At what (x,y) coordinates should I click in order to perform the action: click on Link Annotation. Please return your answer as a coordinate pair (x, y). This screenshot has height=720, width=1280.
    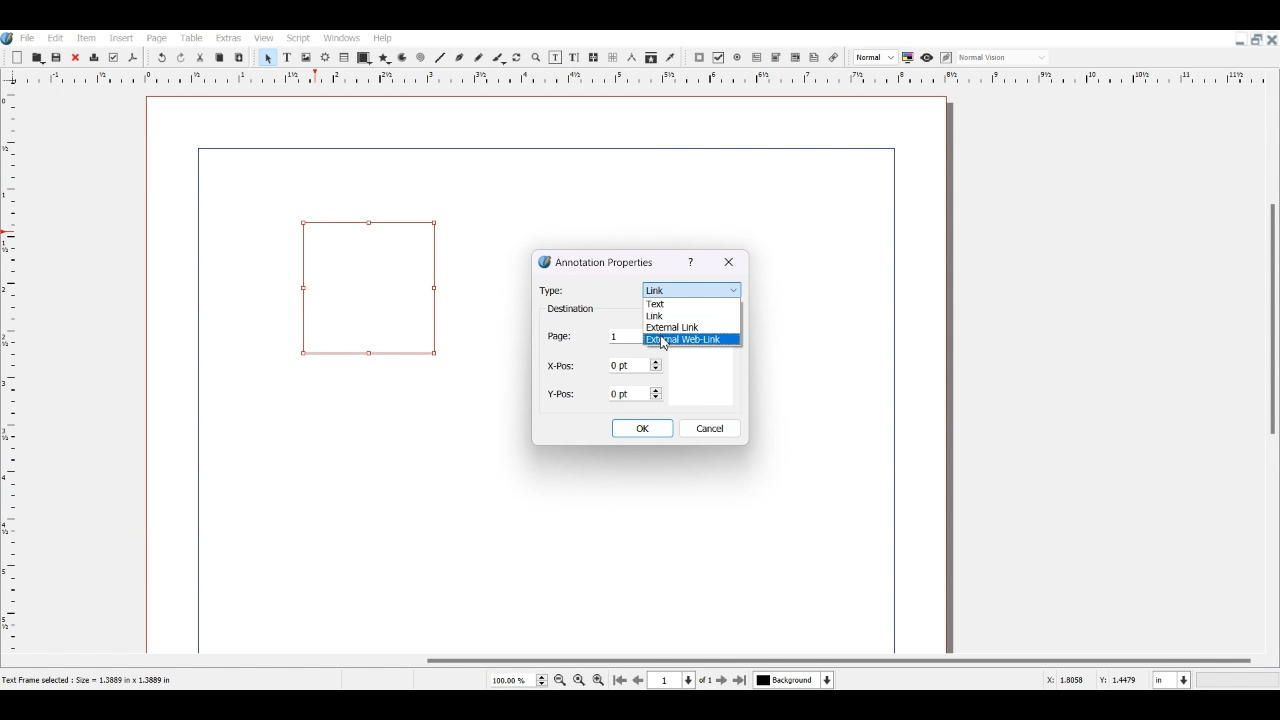
    Looking at the image, I should click on (833, 56).